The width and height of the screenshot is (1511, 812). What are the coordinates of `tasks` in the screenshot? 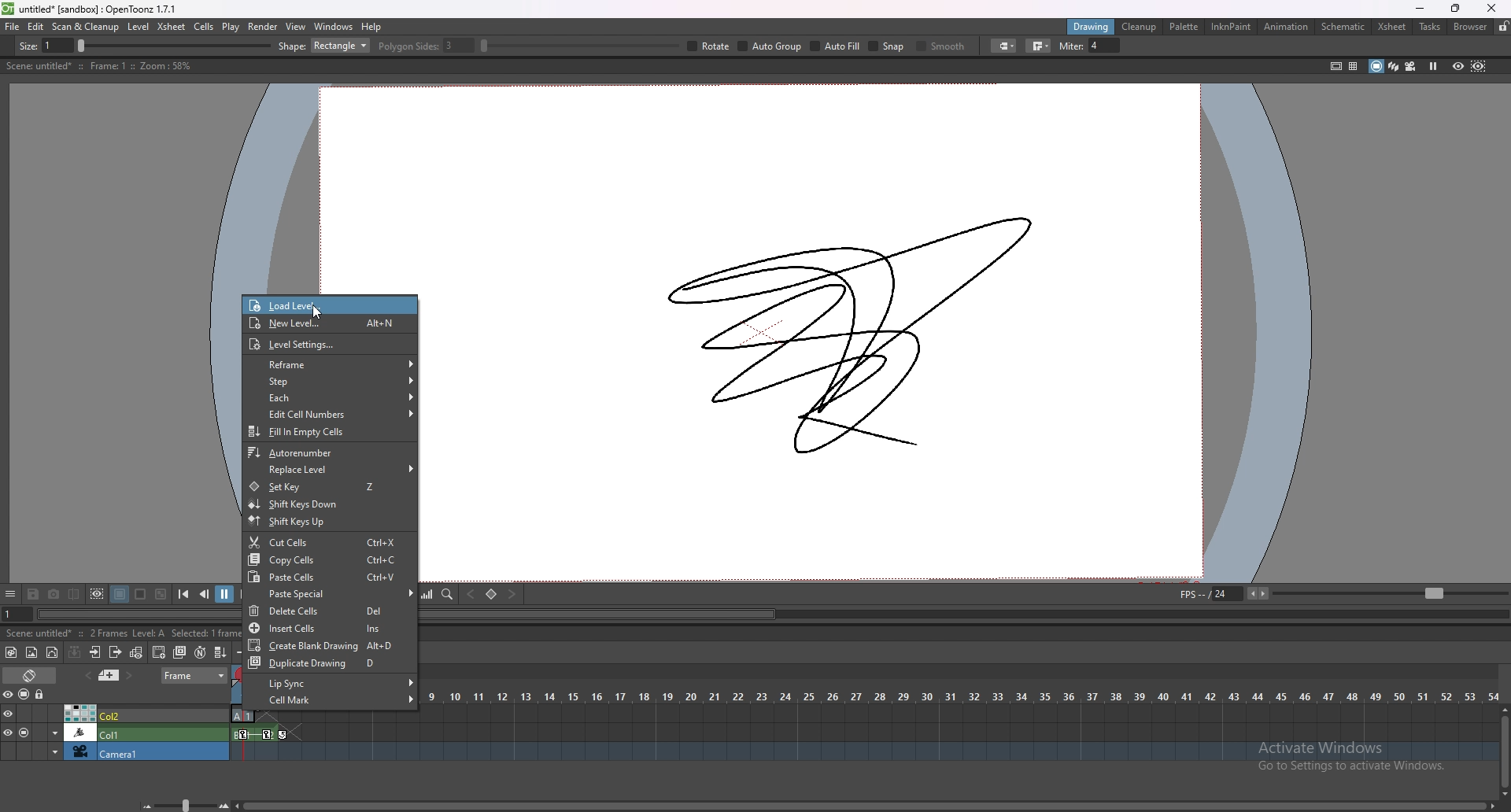 It's located at (1429, 28).